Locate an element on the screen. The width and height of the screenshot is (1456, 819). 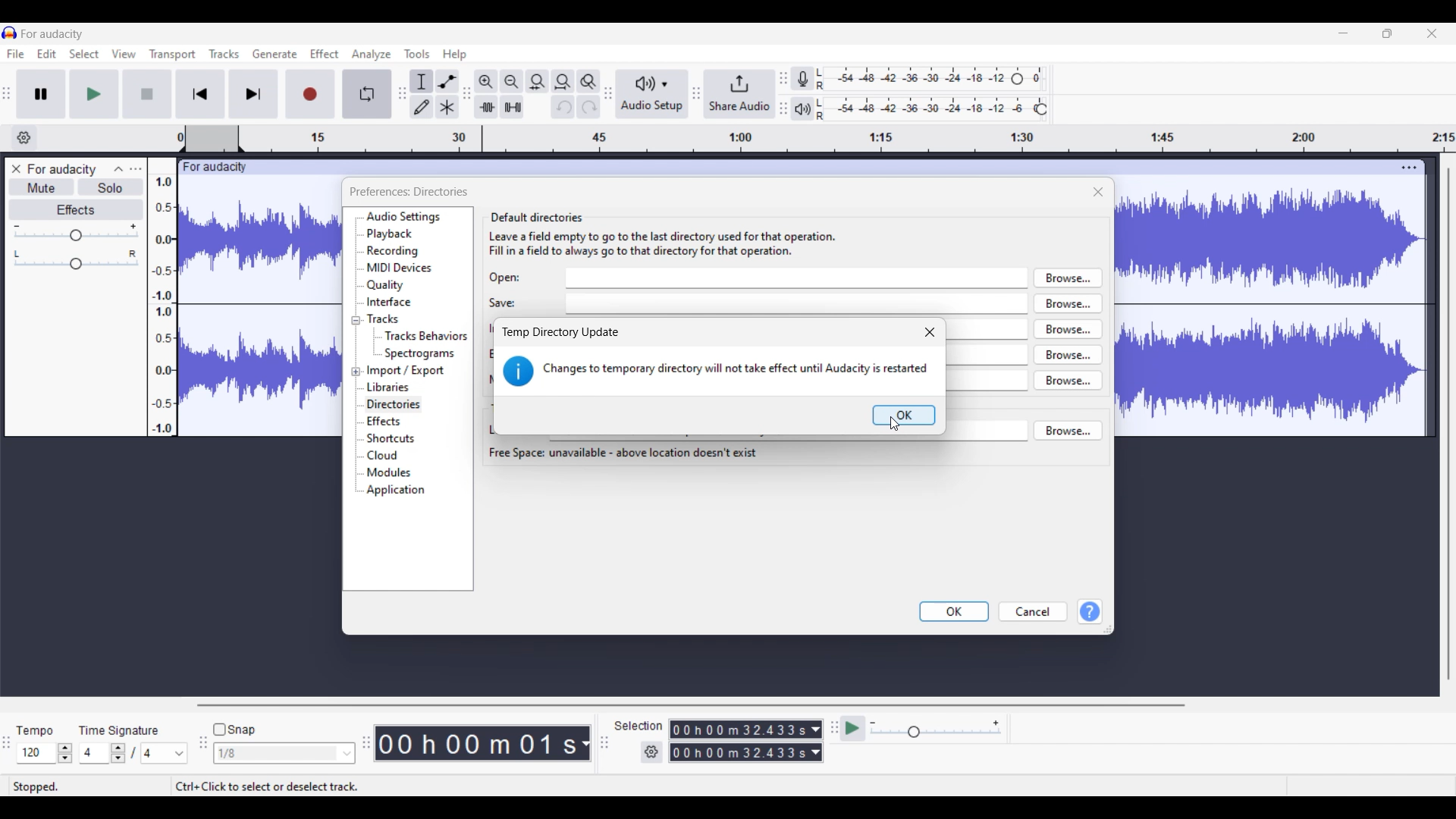
Trim audio outside selection is located at coordinates (486, 106).